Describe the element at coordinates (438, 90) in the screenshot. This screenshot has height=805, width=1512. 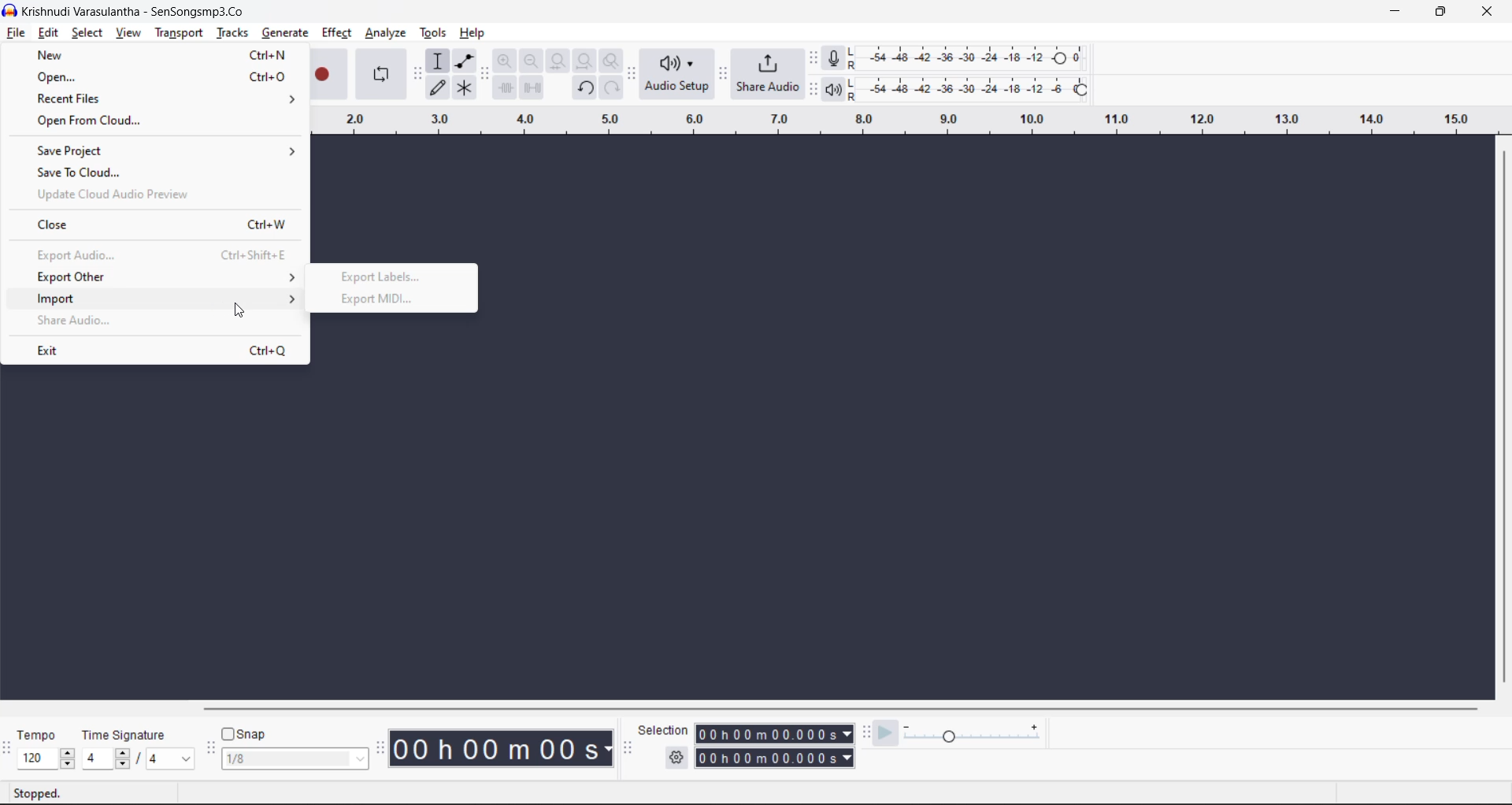
I see `draw tool` at that location.